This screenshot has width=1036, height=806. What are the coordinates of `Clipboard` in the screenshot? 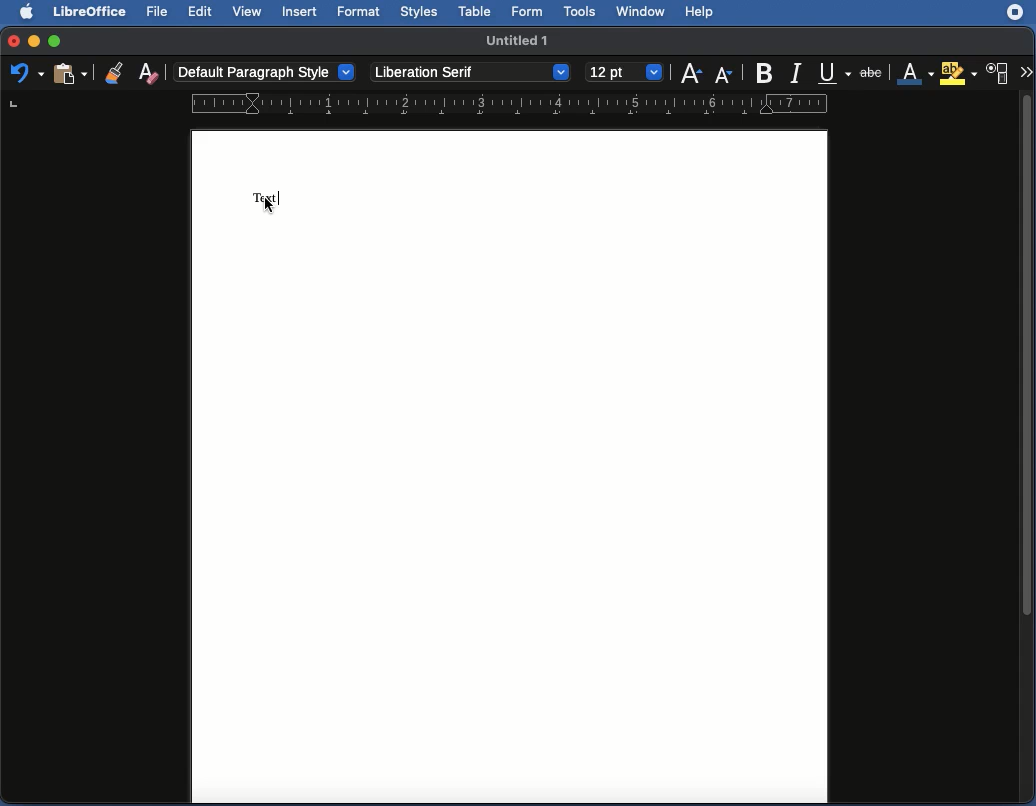 It's located at (68, 75).